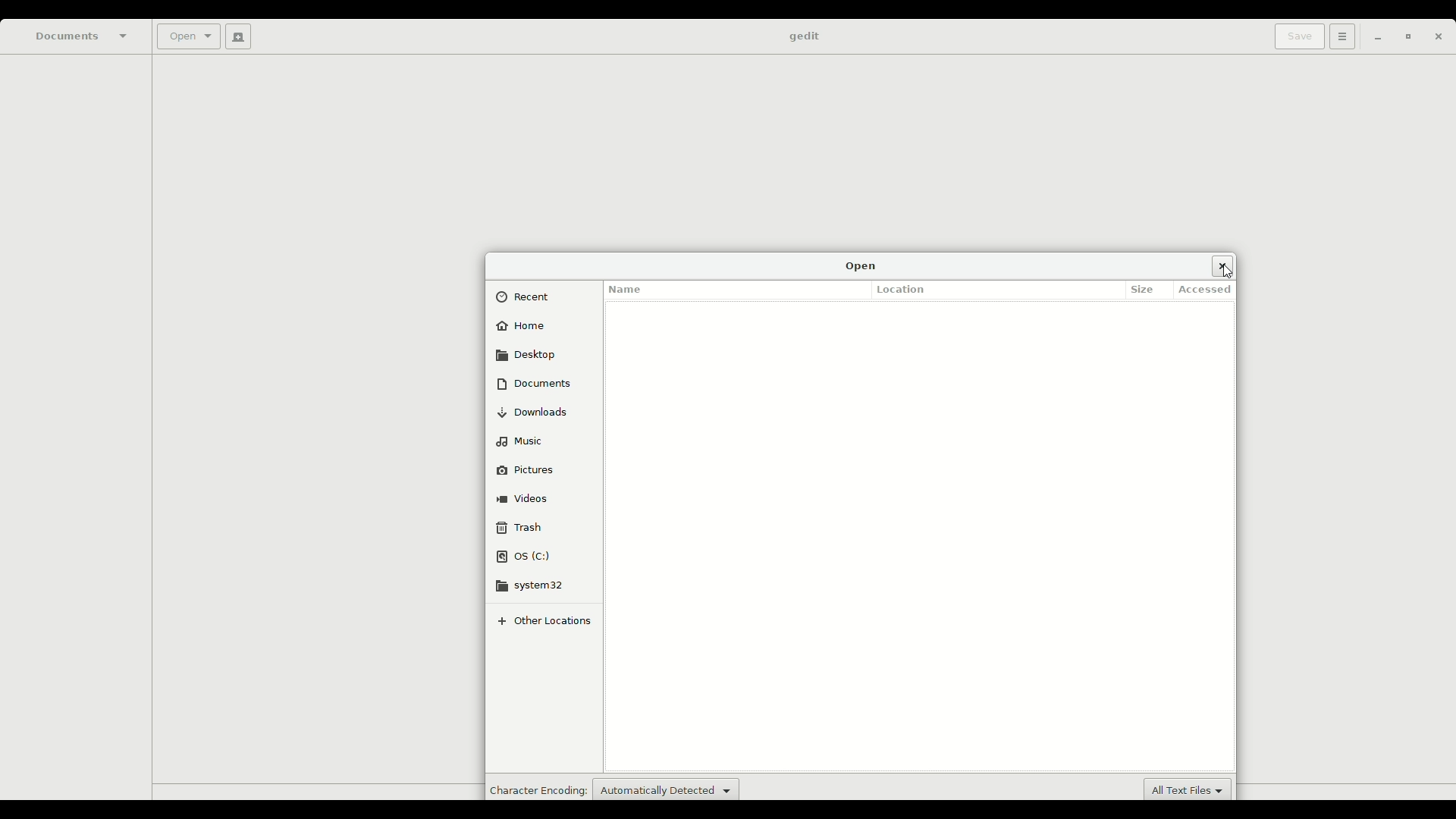 The height and width of the screenshot is (819, 1456). What do you see at coordinates (1404, 38) in the screenshot?
I see `Restore` at bounding box center [1404, 38].